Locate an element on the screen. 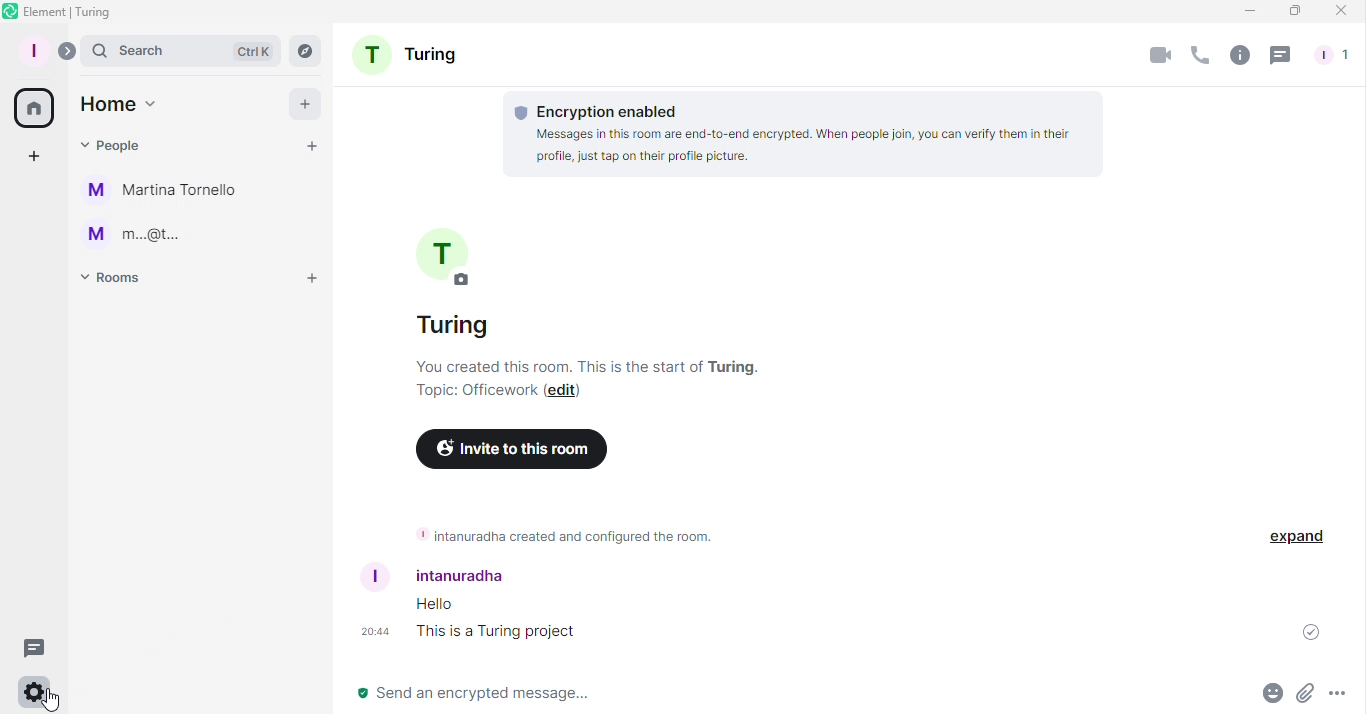  Encryption information is located at coordinates (808, 130).